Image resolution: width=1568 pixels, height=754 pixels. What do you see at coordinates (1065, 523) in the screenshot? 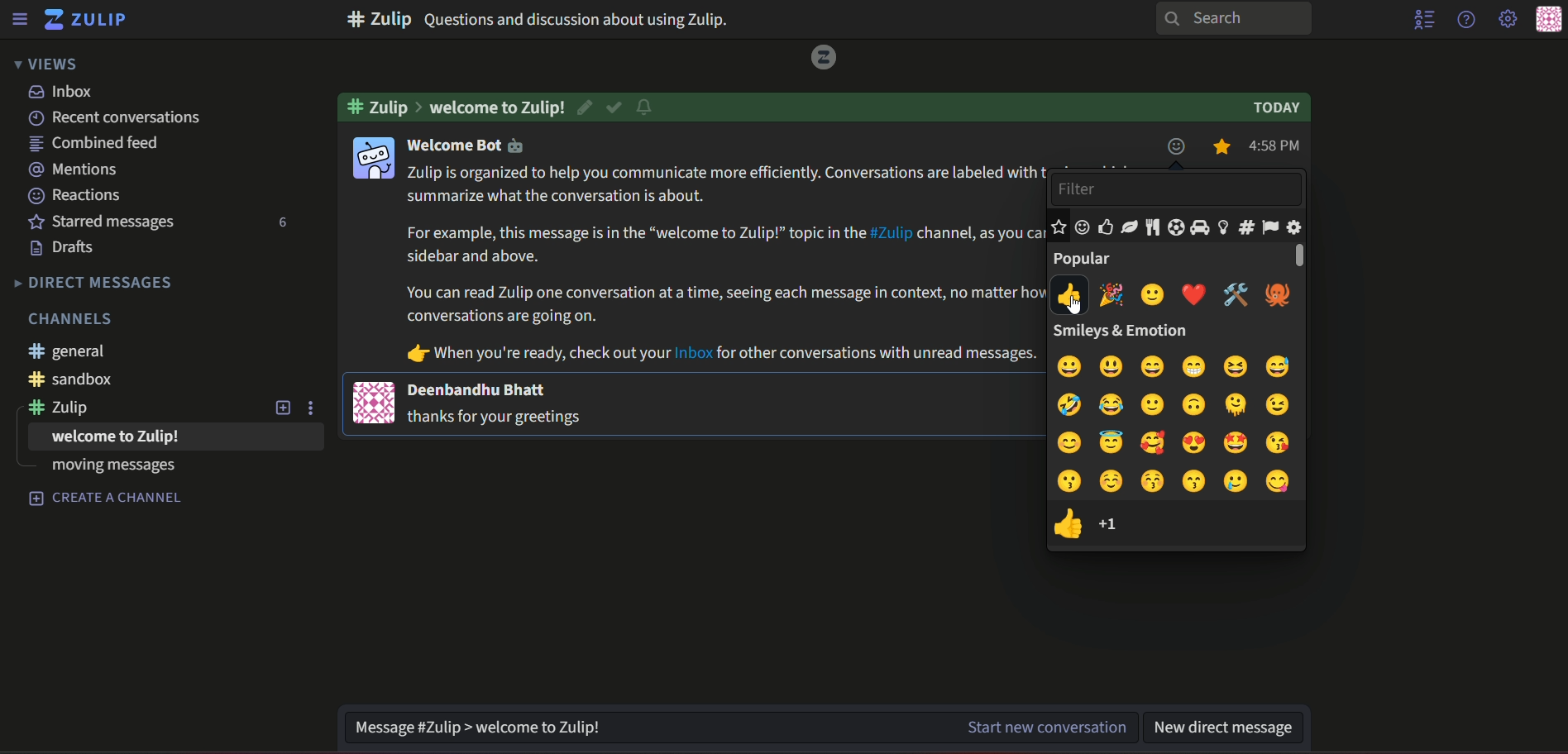
I see `emoji` at bounding box center [1065, 523].